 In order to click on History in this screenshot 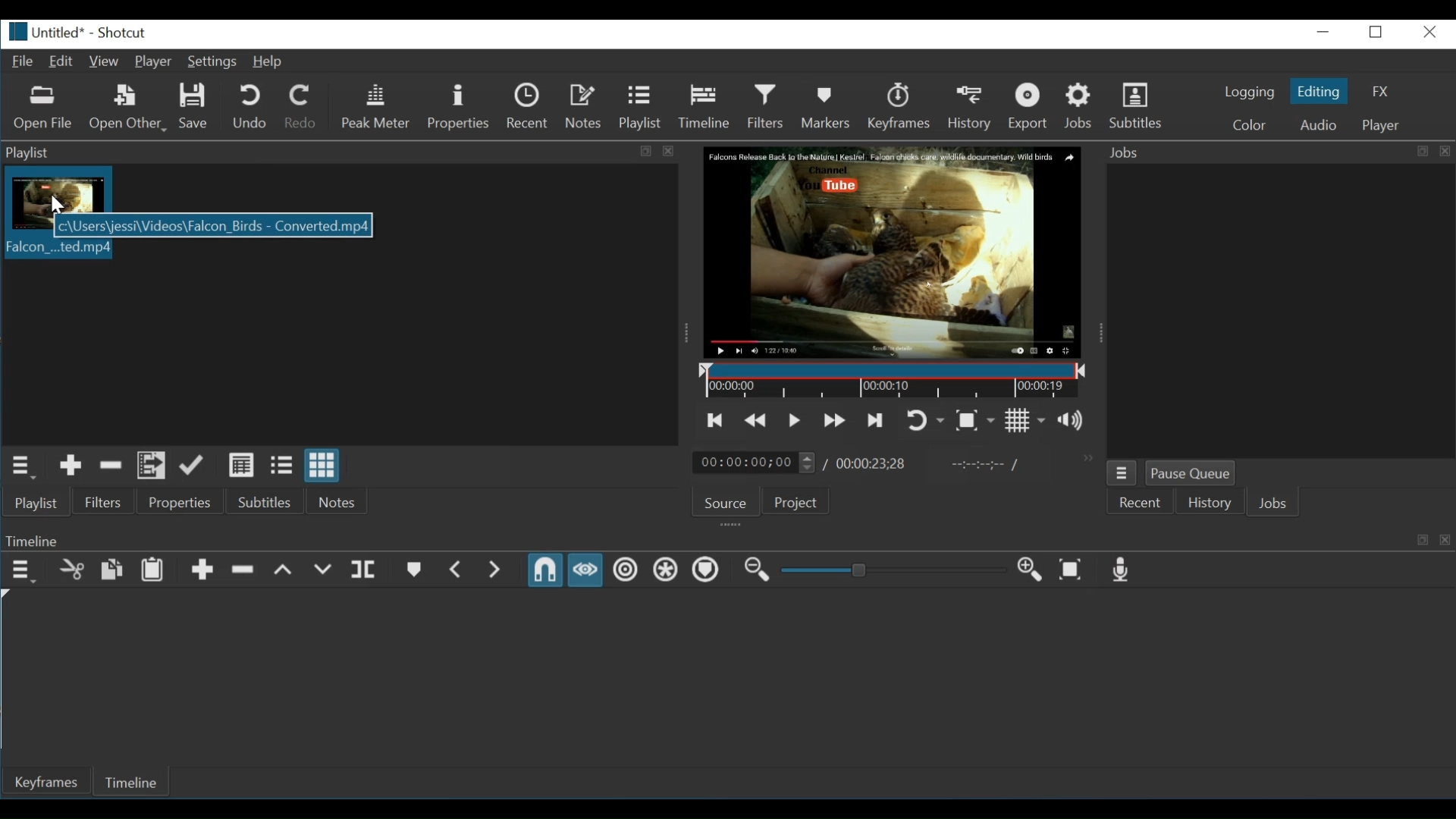, I will do `click(973, 106)`.